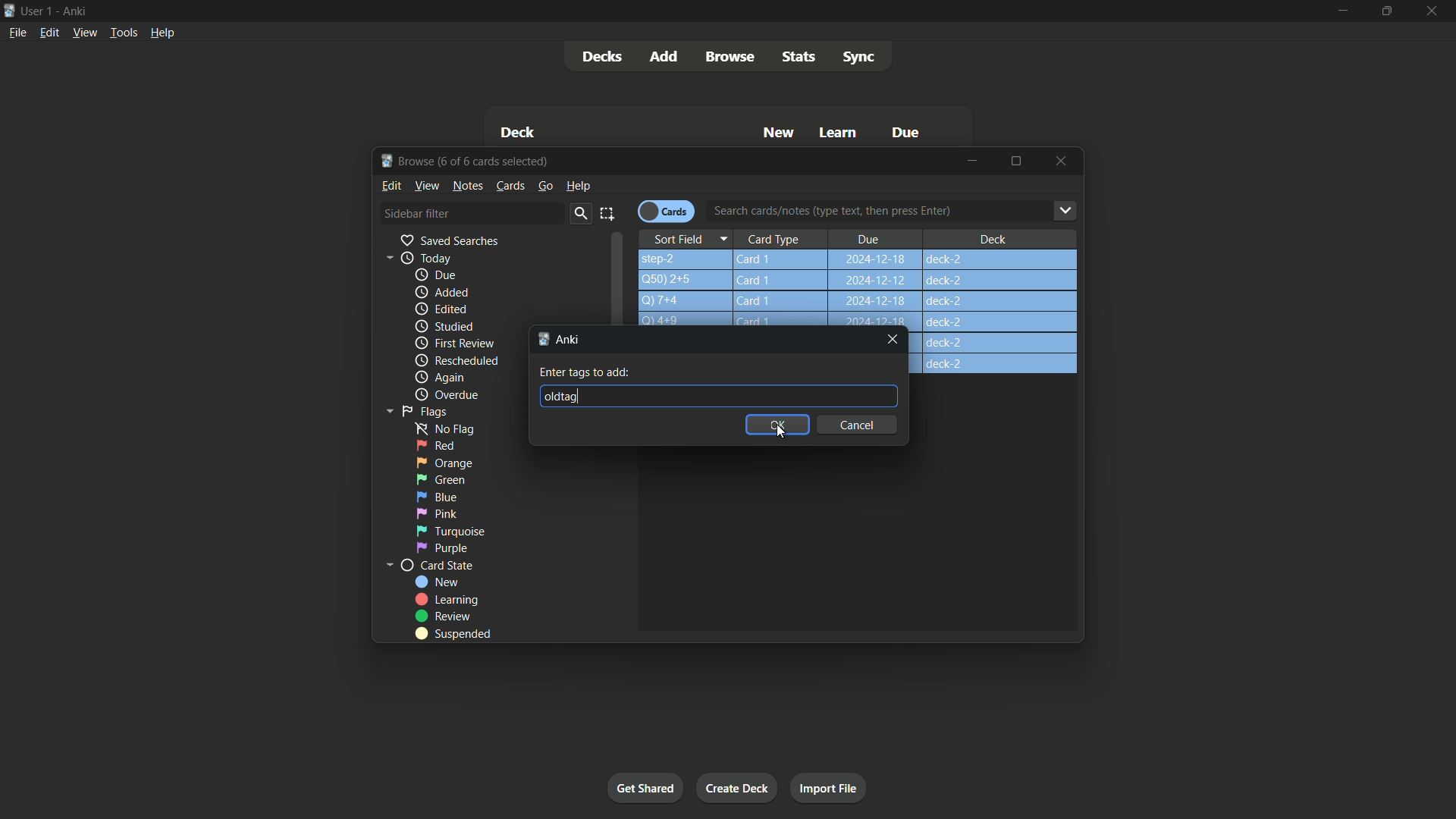 The image size is (1456, 819). Describe the element at coordinates (437, 513) in the screenshot. I see `pink` at that location.